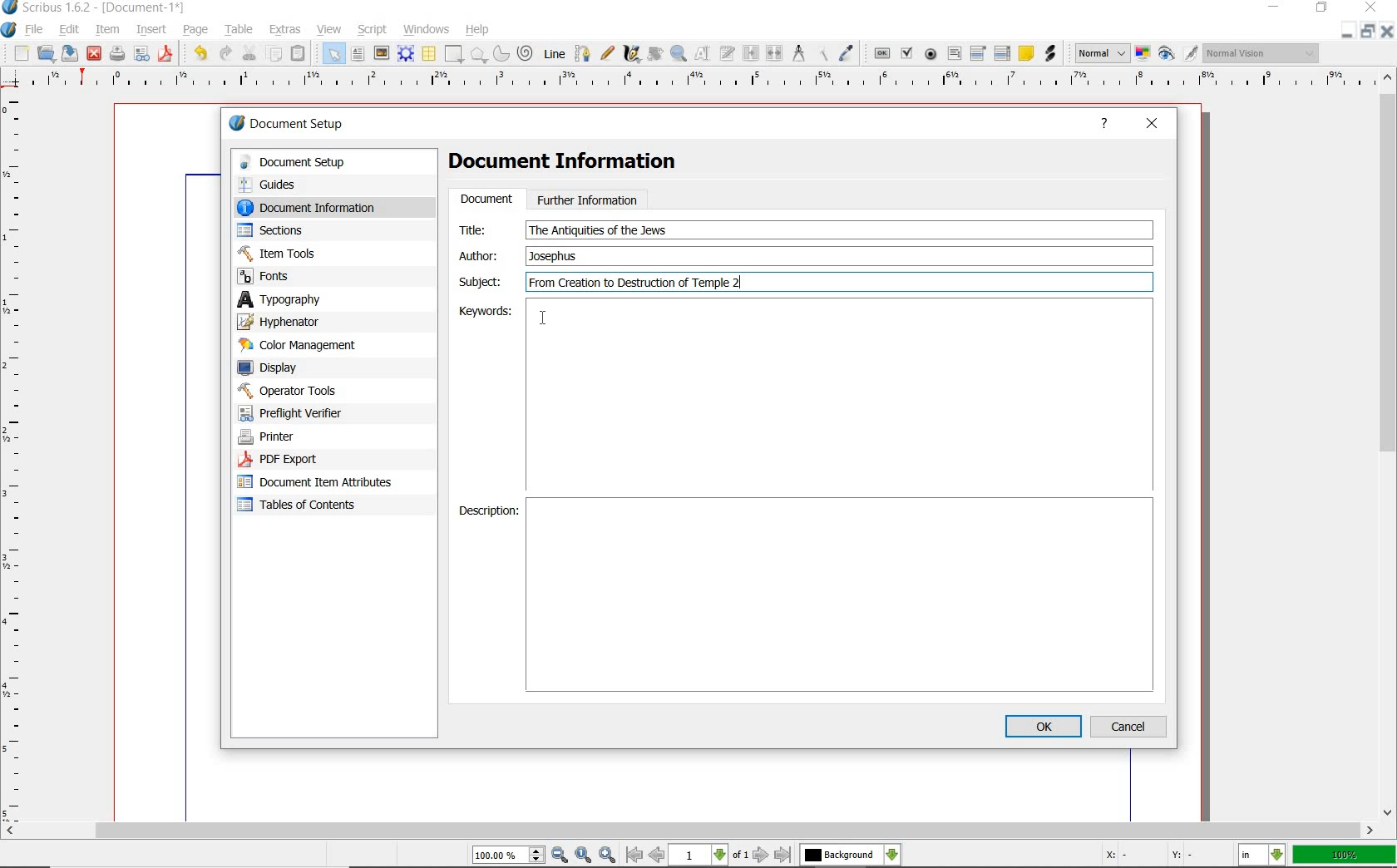 This screenshot has height=868, width=1397. Describe the element at coordinates (480, 28) in the screenshot. I see `help` at that location.